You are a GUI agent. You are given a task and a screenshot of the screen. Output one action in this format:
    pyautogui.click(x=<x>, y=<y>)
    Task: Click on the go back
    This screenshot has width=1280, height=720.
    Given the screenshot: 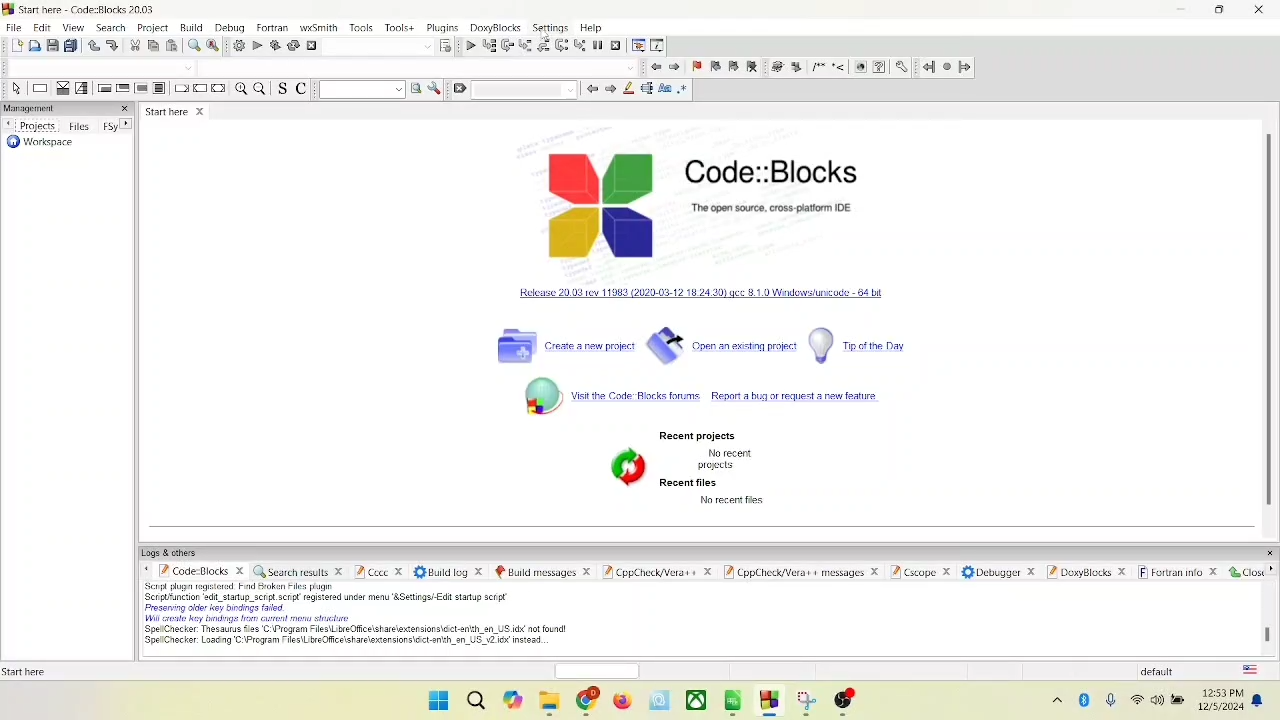 What is the action you would take?
    pyautogui.click(x=591, y=91)
    